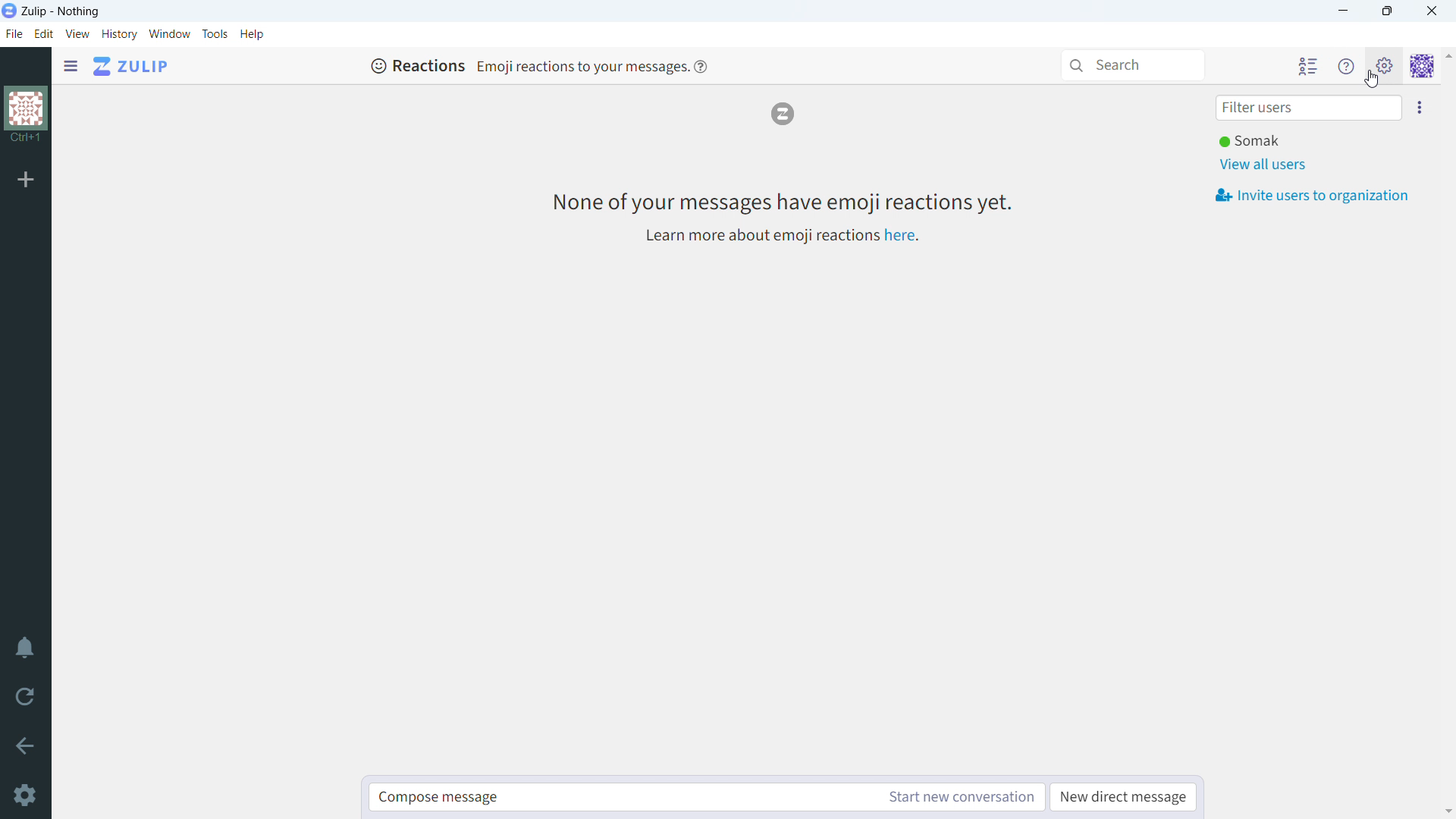 The height and width of the screenshot is (819, 1456). Describe the element at coordinates (1388, 11) in the screenshot. I see `maximize` at that location.